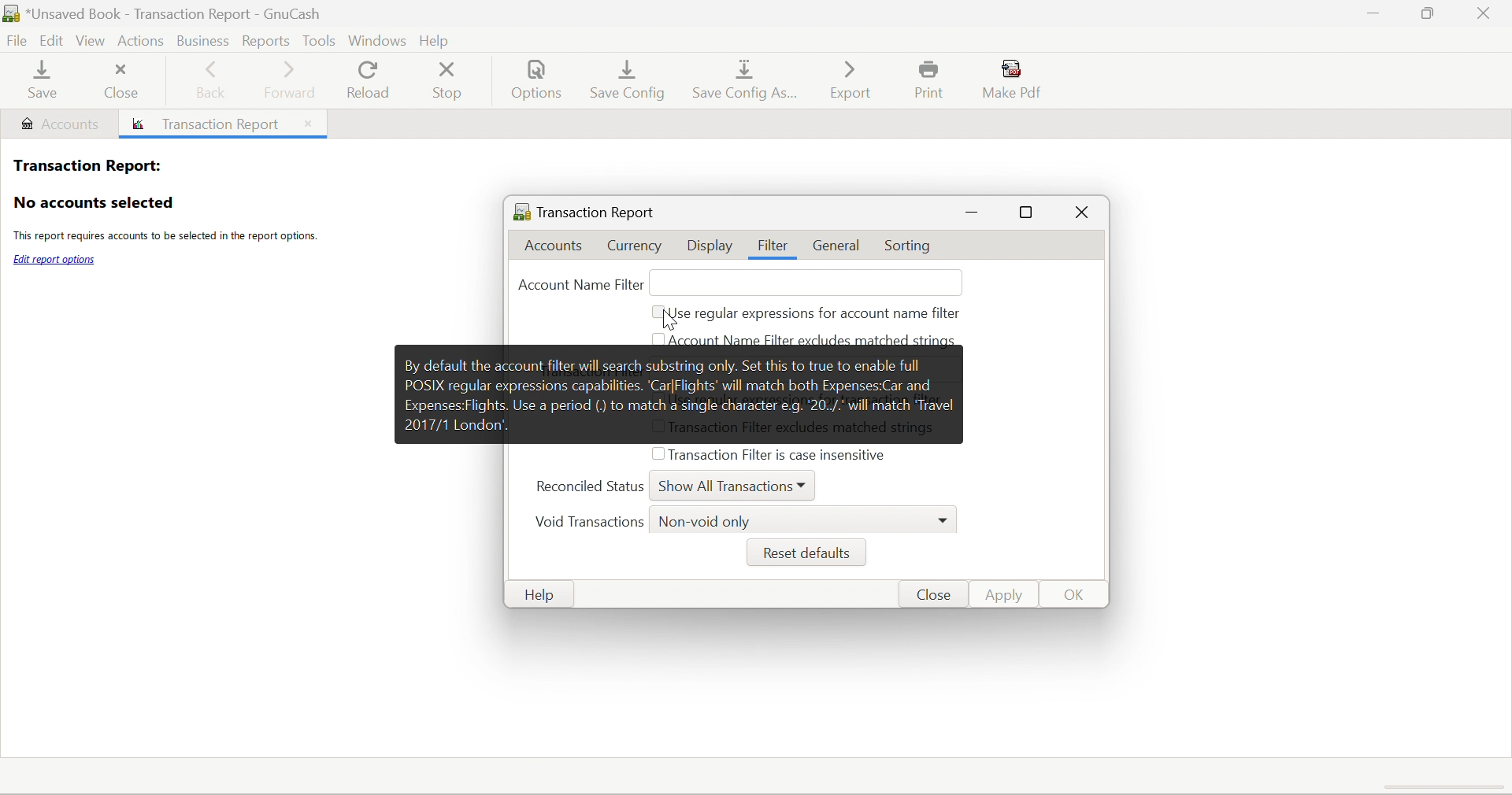 The height and width of the screenshot is (795, 1512). What do you see at coordinates (39, 82) in the screenshot?
I see `Save` at bounding box center [39, 82].